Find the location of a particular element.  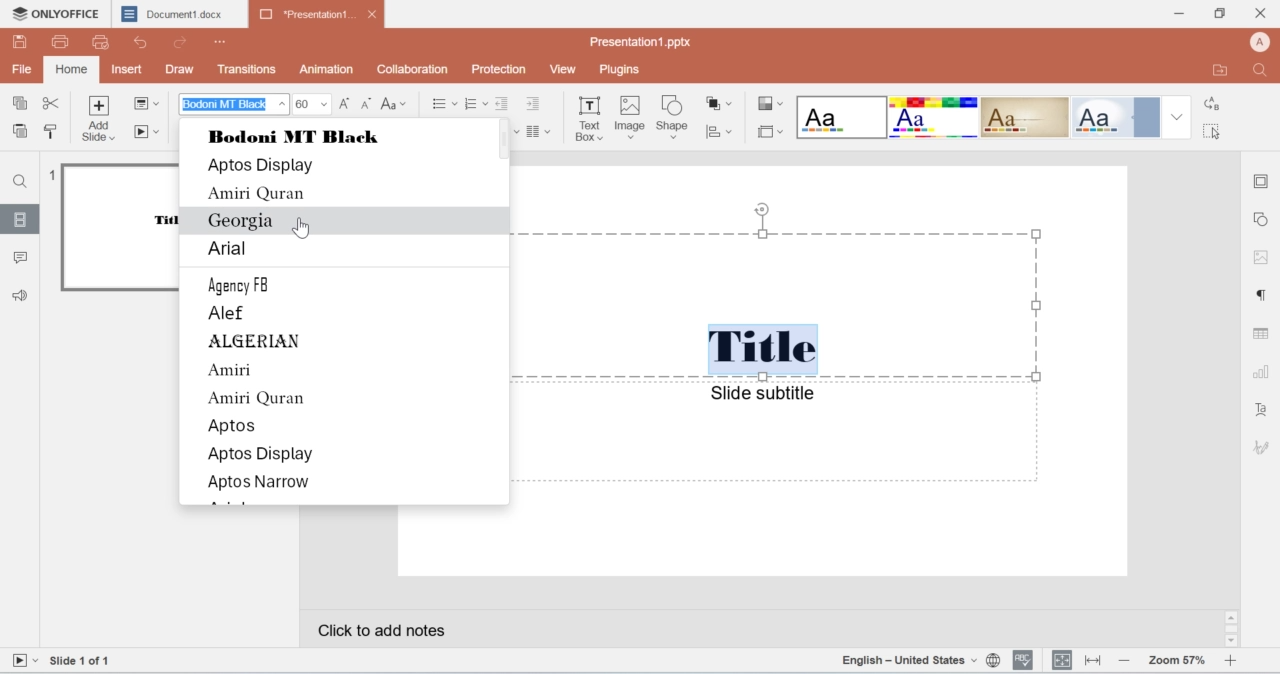

canvas is located at coordinates (818, 372).